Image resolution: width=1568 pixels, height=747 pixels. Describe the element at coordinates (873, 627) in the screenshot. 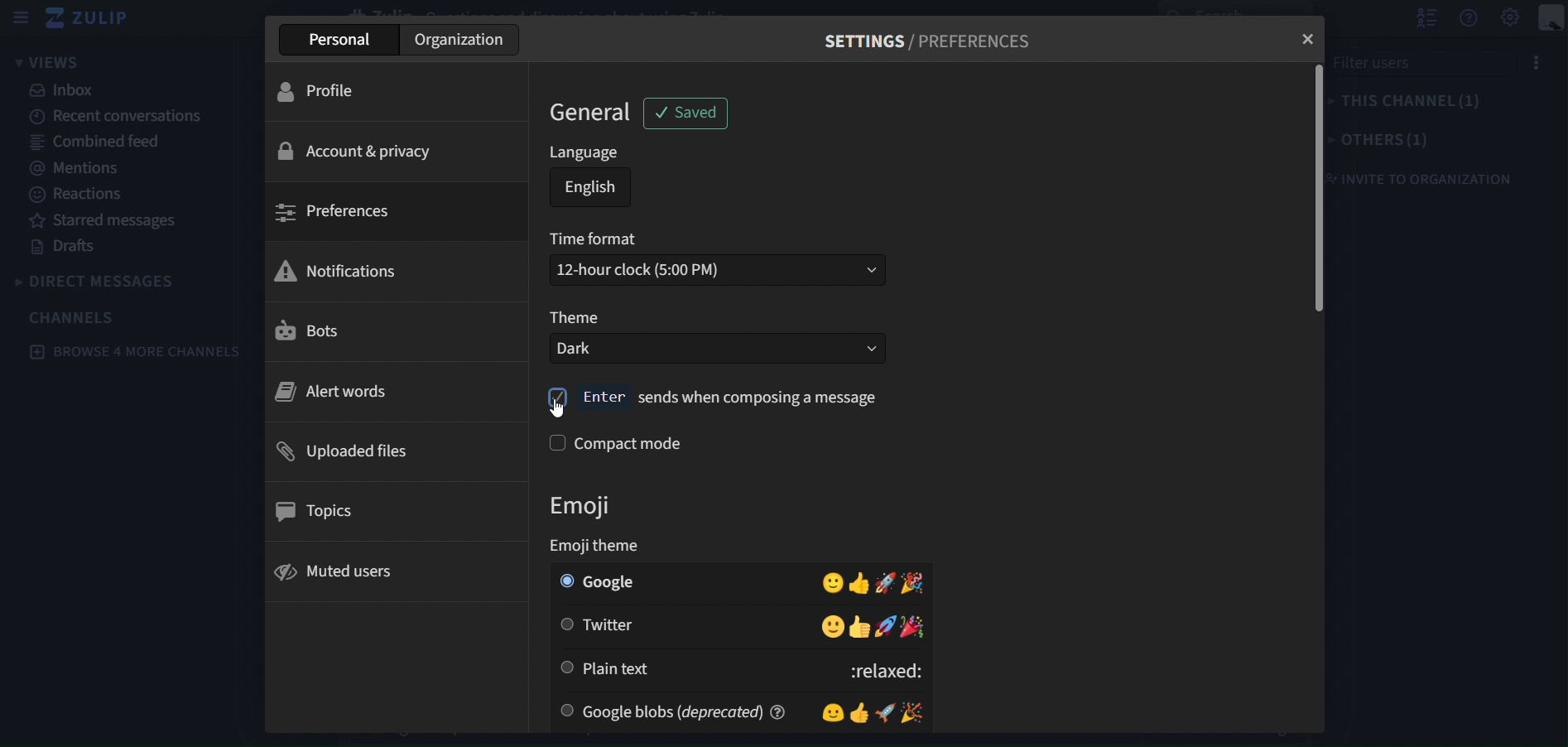

I see `Emojis` at that location.